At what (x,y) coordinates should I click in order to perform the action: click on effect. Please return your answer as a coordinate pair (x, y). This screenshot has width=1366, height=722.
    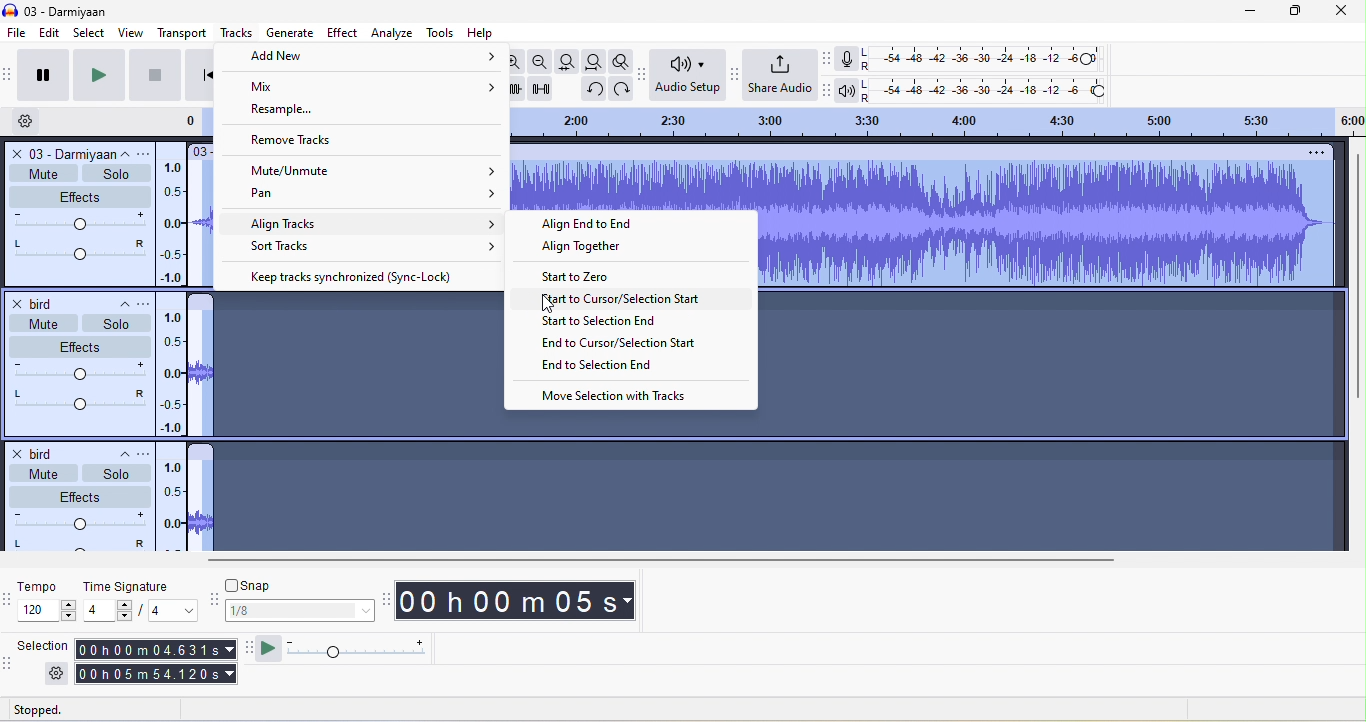
    Looking at the image, I should click on (80, 343).